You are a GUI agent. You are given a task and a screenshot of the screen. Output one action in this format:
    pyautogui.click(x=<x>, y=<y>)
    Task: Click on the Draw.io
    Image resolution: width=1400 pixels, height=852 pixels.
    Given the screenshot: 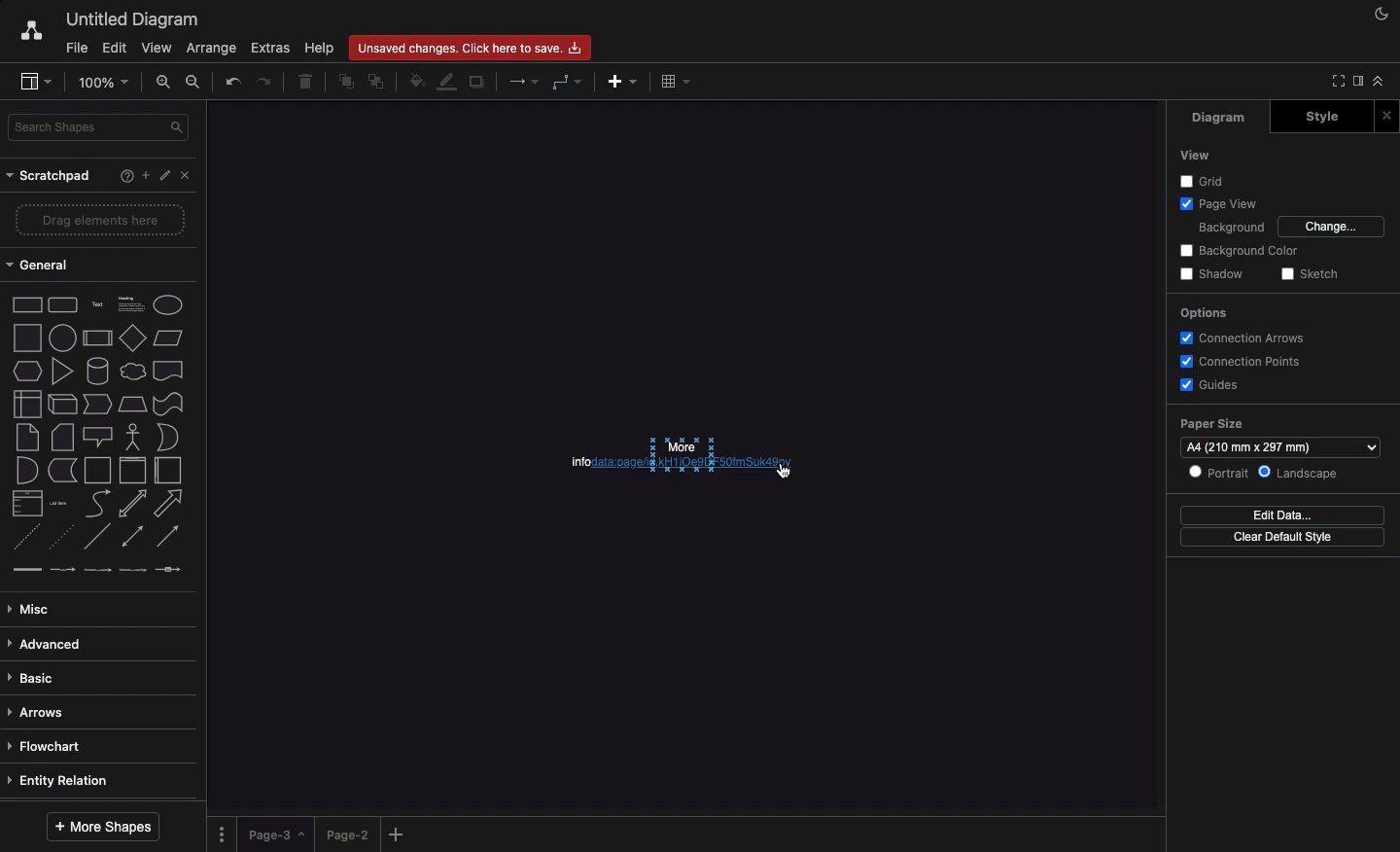 What is the action you would take?
    pyautogui.click(x=21, y=33)
    